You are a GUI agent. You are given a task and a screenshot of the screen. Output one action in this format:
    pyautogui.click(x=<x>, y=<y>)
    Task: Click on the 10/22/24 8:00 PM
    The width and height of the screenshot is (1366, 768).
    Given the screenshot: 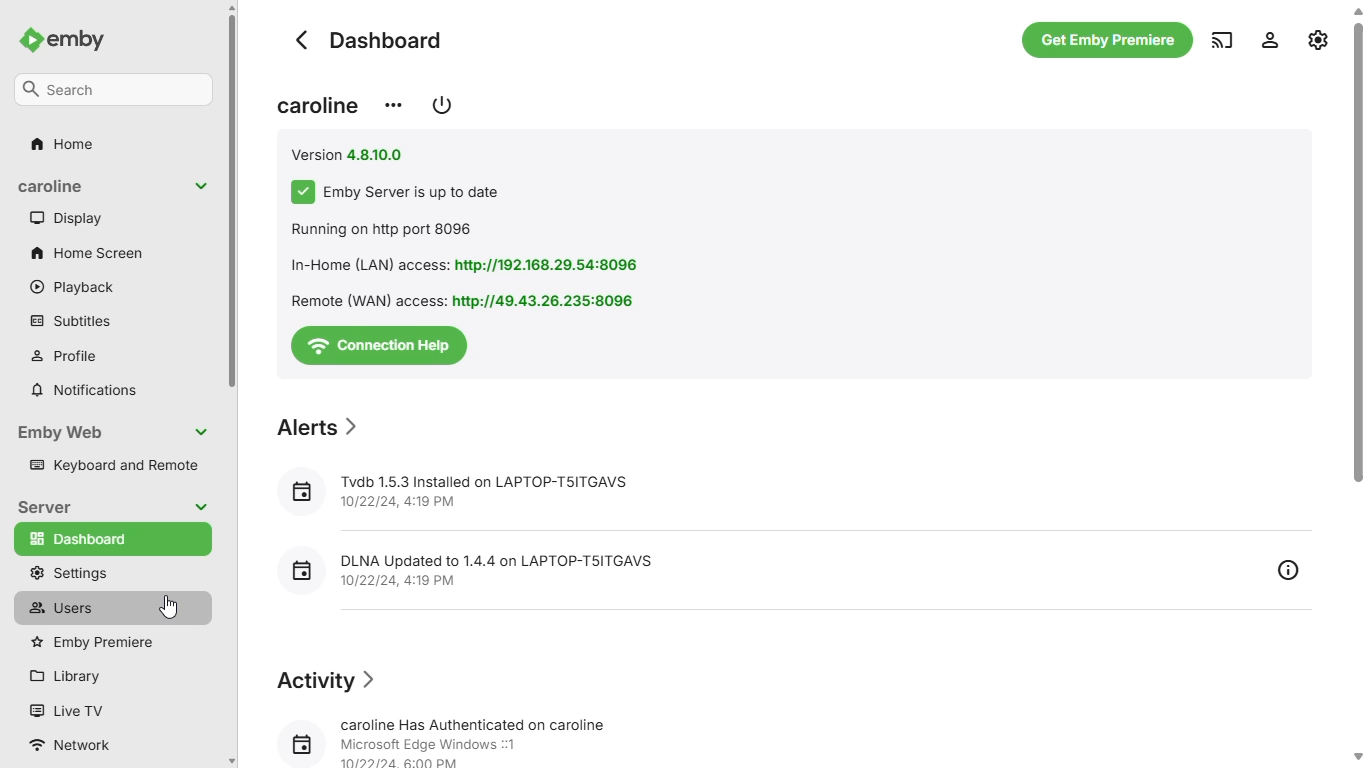 What is the action you would take?
    pyautogui.click(x=401, y=763)
    